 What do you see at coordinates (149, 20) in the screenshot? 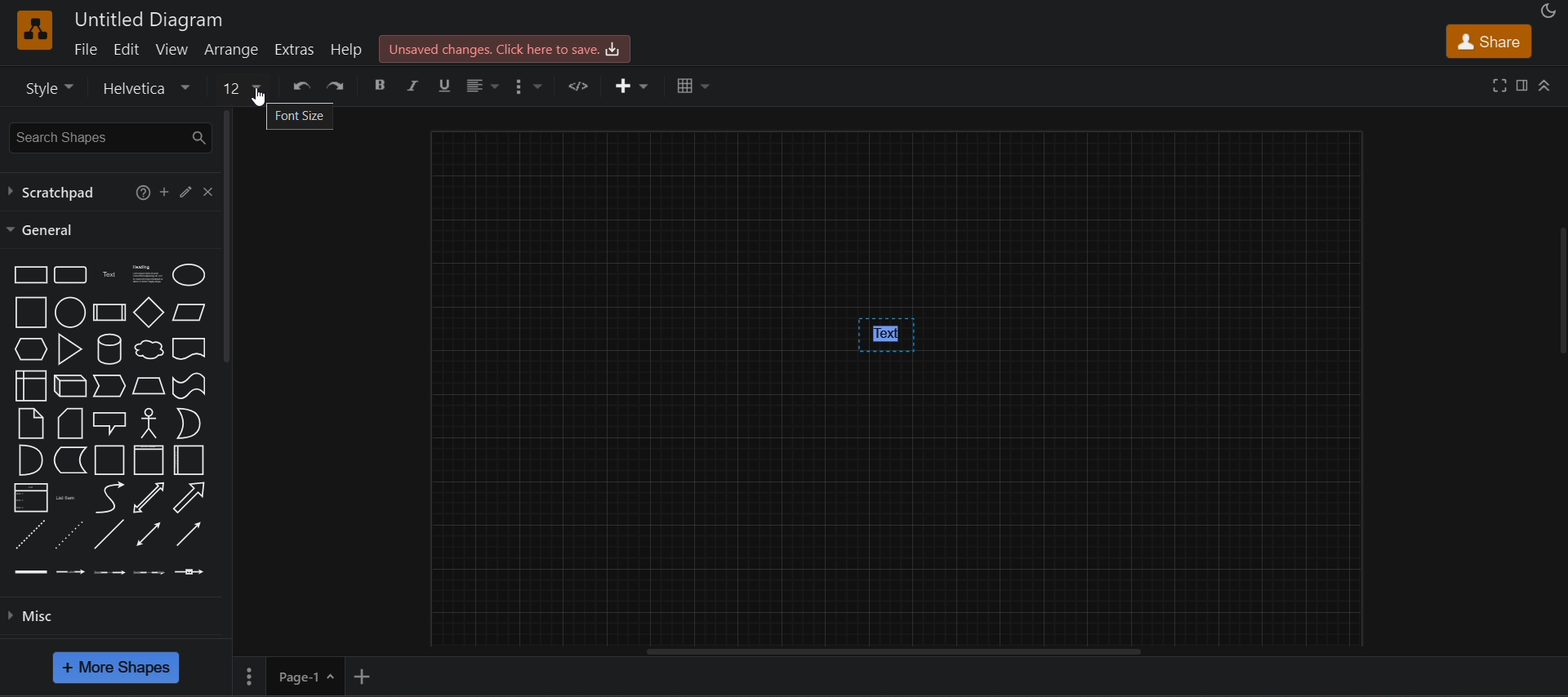
I see `Untitled diagram` at bounding box center [149, 20].